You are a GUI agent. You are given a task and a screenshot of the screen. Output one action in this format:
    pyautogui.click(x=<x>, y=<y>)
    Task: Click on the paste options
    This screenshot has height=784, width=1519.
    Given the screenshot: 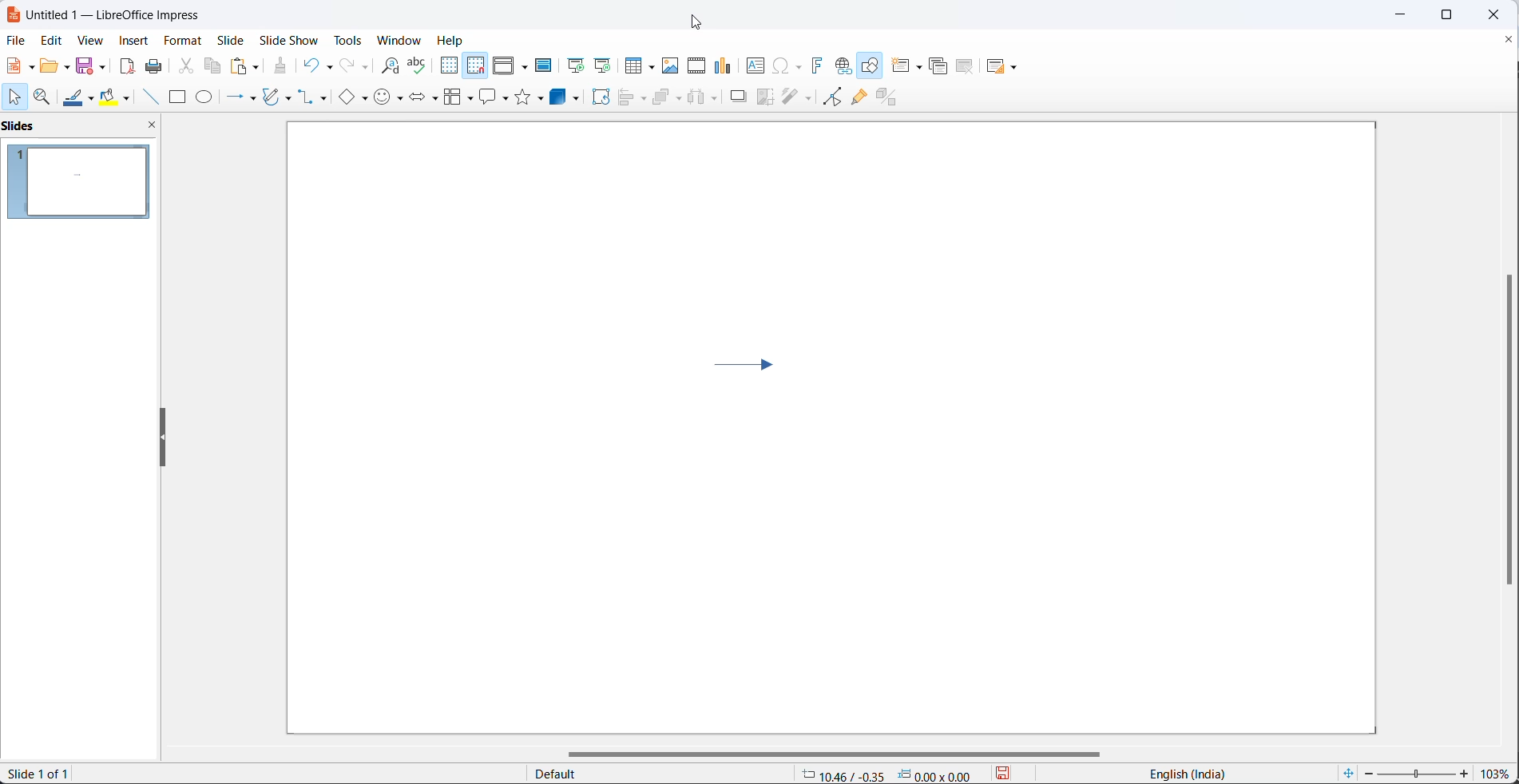 What is the action you would take?
    pyautogui.click(x=245, y=66)
    